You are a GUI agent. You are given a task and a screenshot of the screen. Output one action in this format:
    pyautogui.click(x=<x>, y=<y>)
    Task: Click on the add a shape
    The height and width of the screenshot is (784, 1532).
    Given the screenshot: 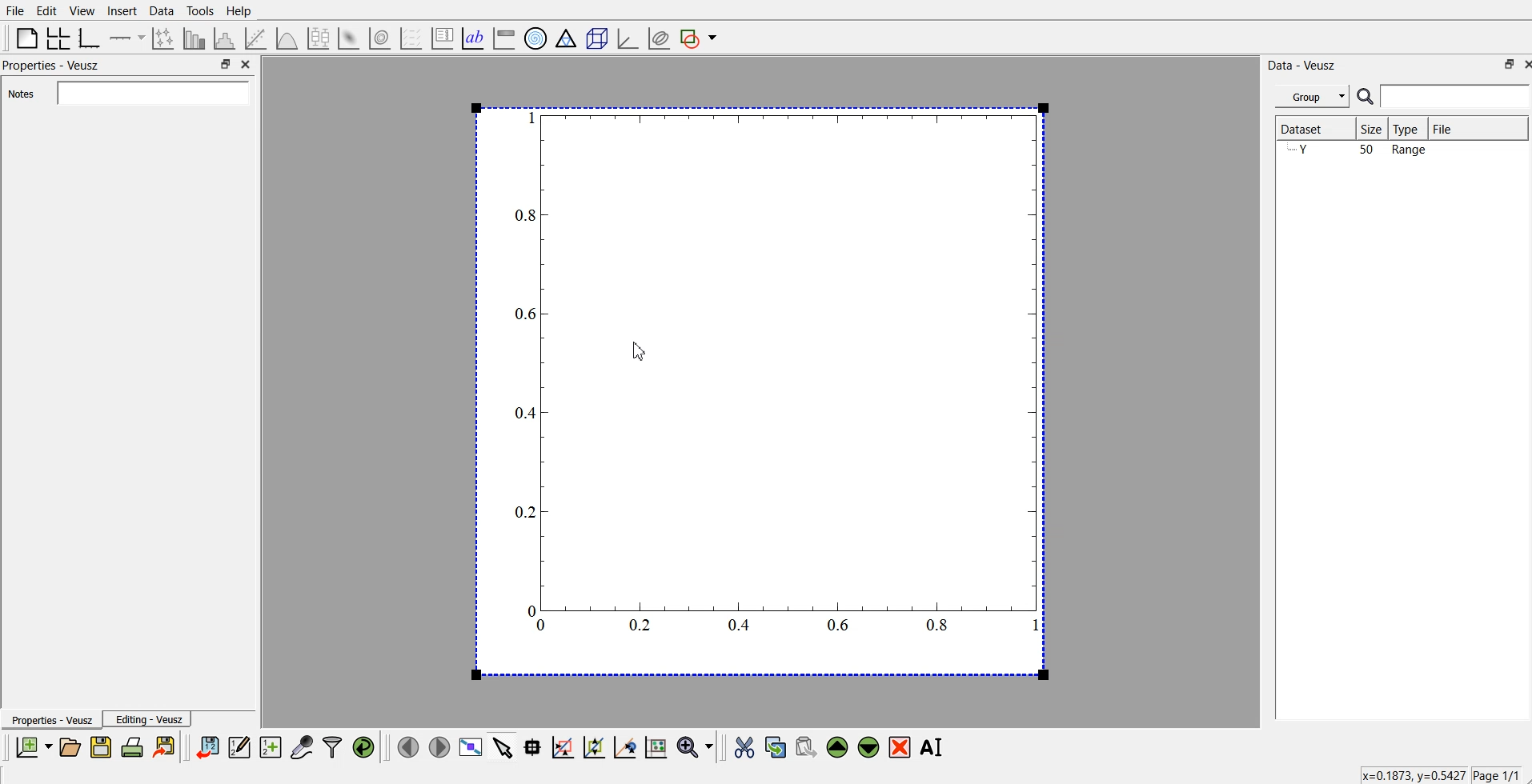 What is the action you would take?
    pyautogui.click(x=700, y=38)
    